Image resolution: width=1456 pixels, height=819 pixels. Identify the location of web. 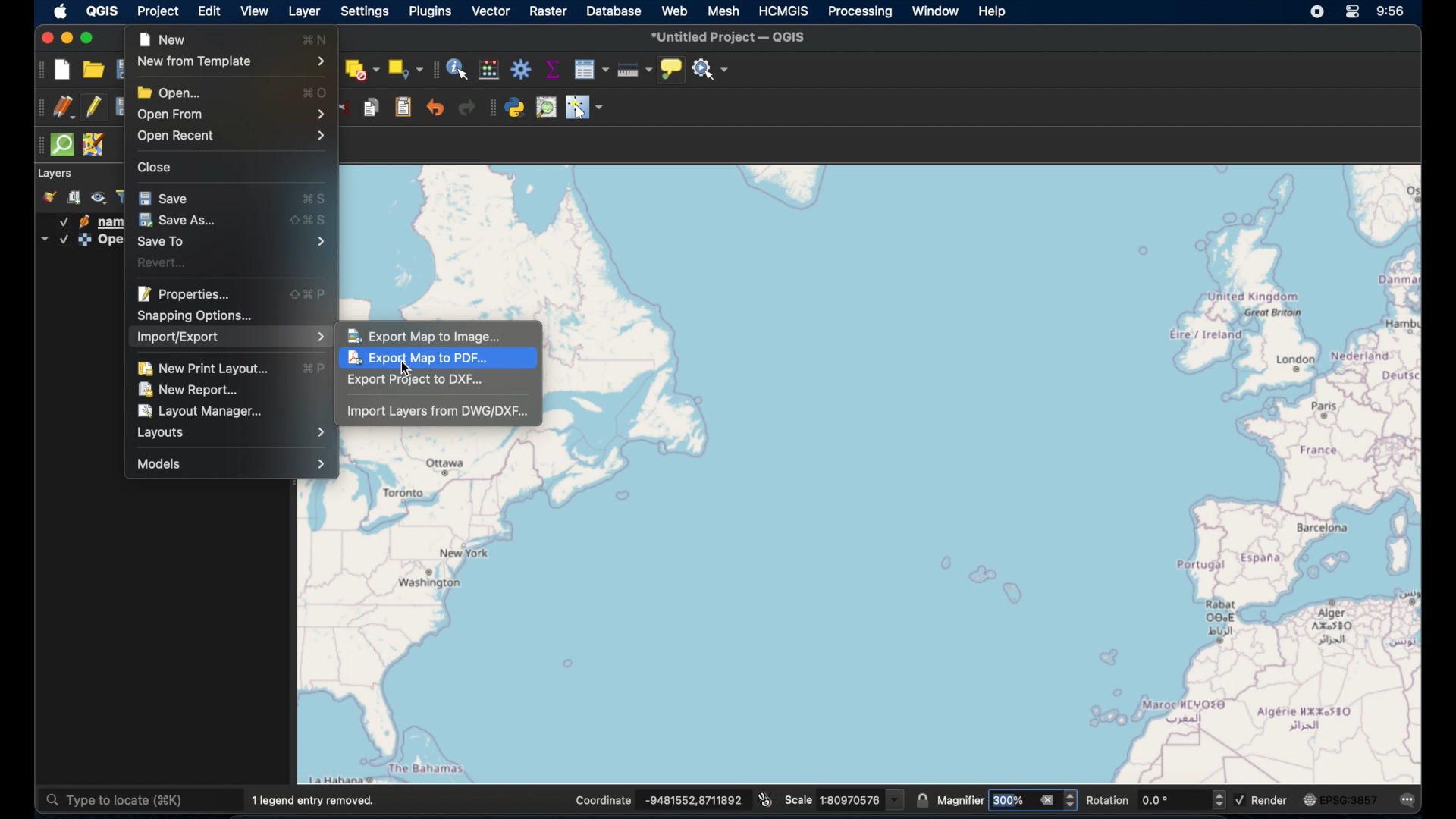
(675, 11).